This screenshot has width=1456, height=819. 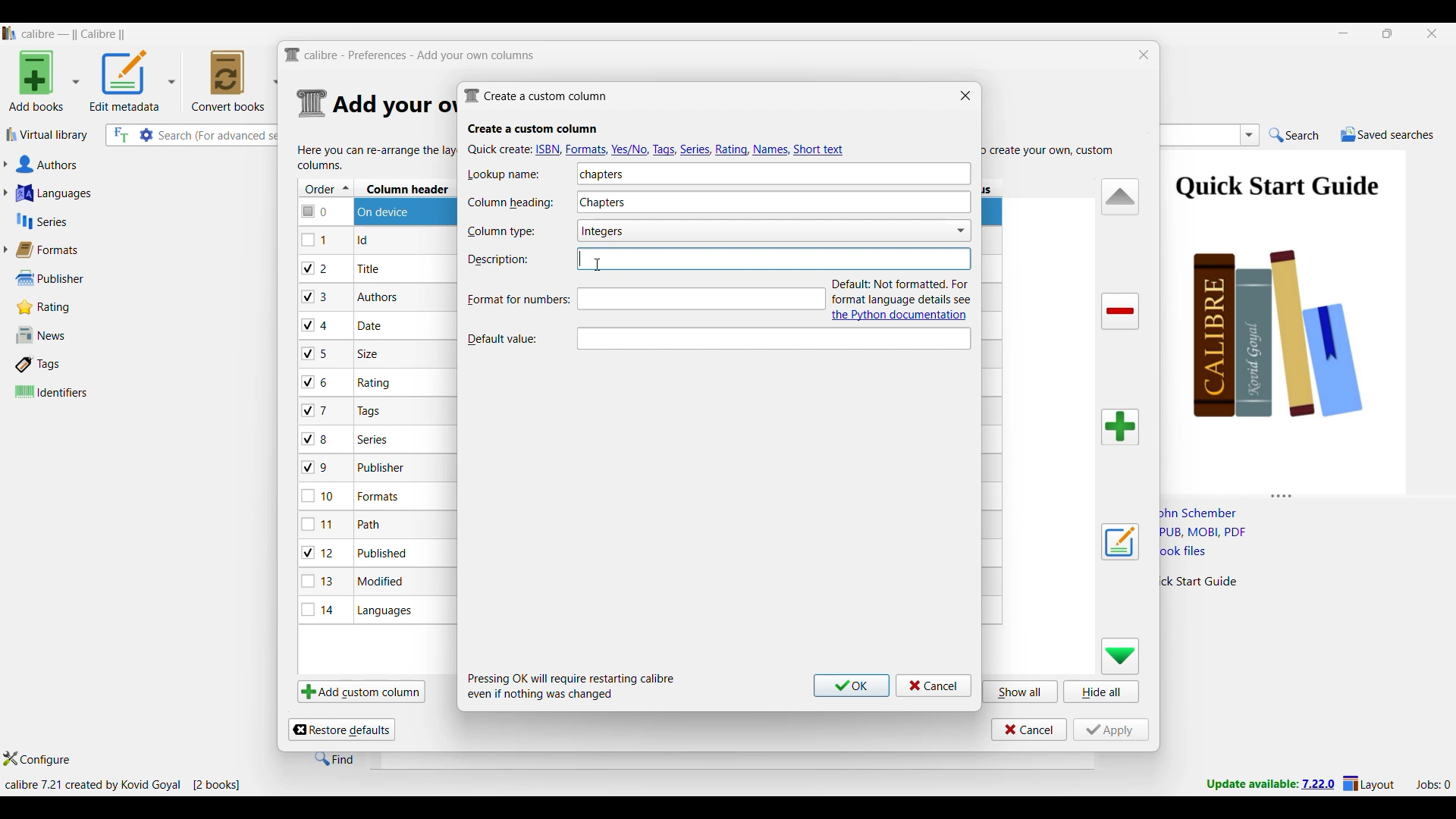 What do you see at coordinates (572, 686) in the screenshot?
I see `Description of steps following saving inputs made` at bounding box center [572, 686].